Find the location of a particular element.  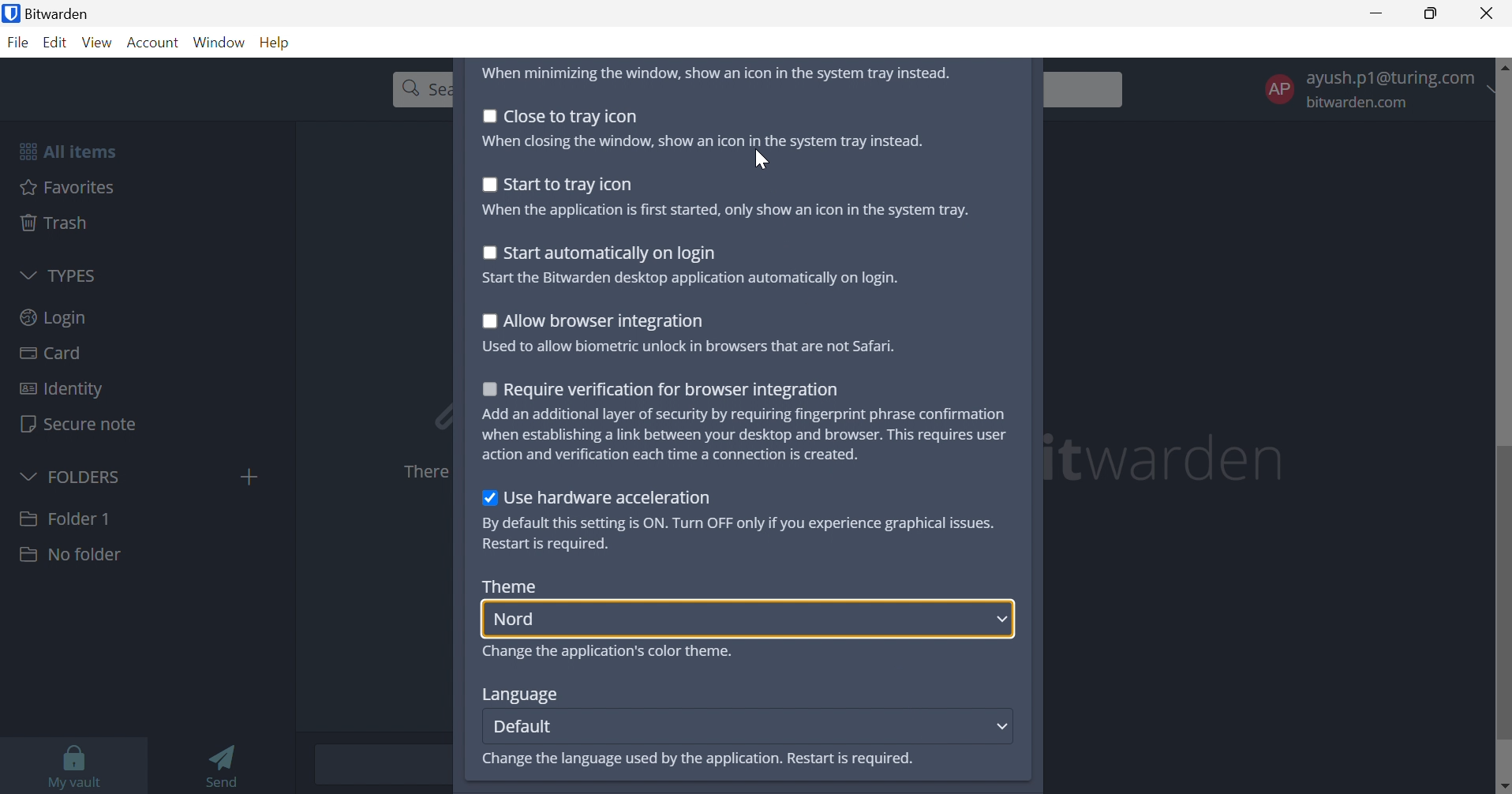

ayush.p1@turing.com is located at coordinates (1396, 76).